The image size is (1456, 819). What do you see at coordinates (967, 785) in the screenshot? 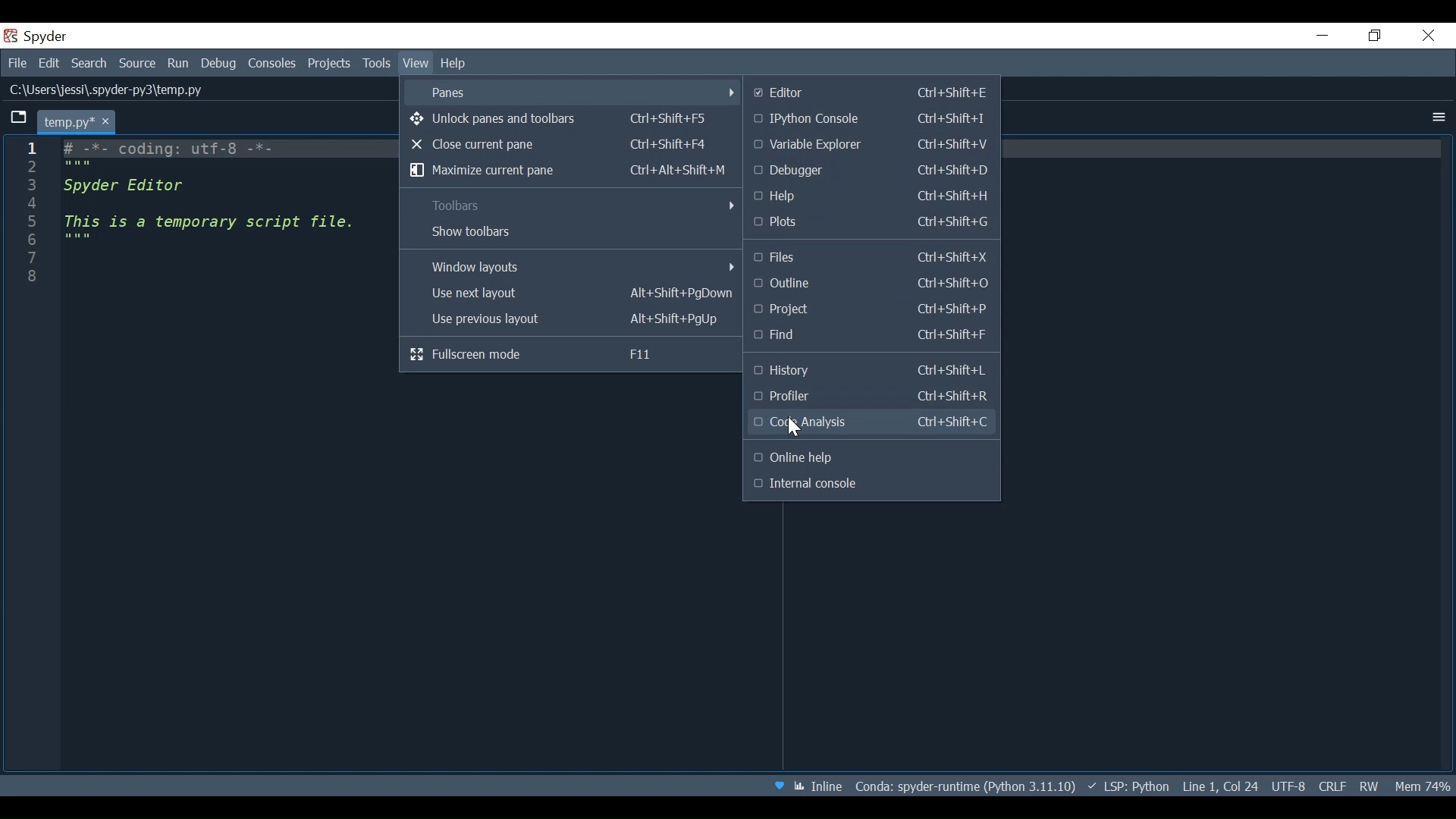
I see `File path` at bounding box center [967, 785].